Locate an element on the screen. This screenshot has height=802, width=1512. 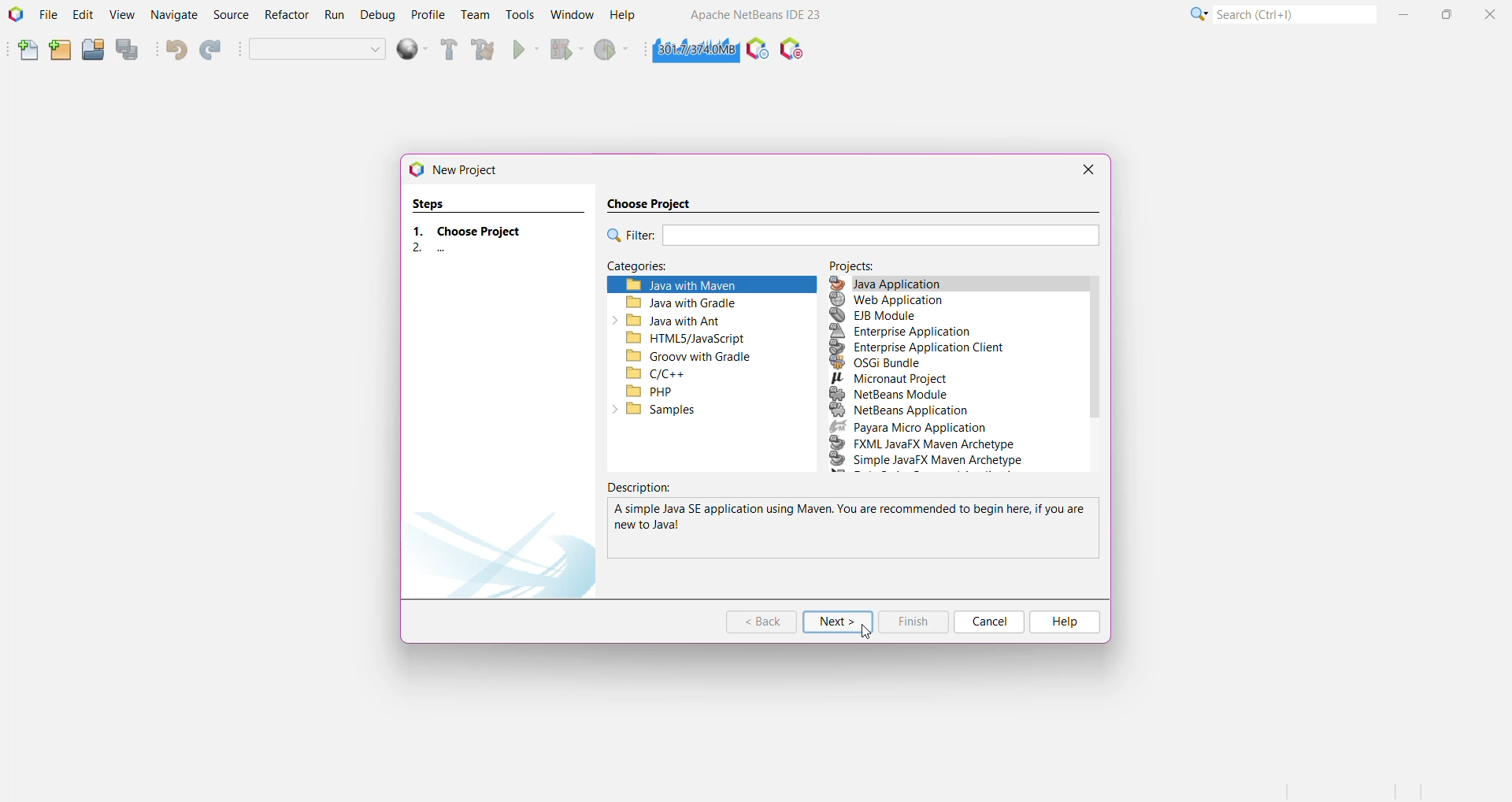
Navigate is located at coordinates (174, 16).